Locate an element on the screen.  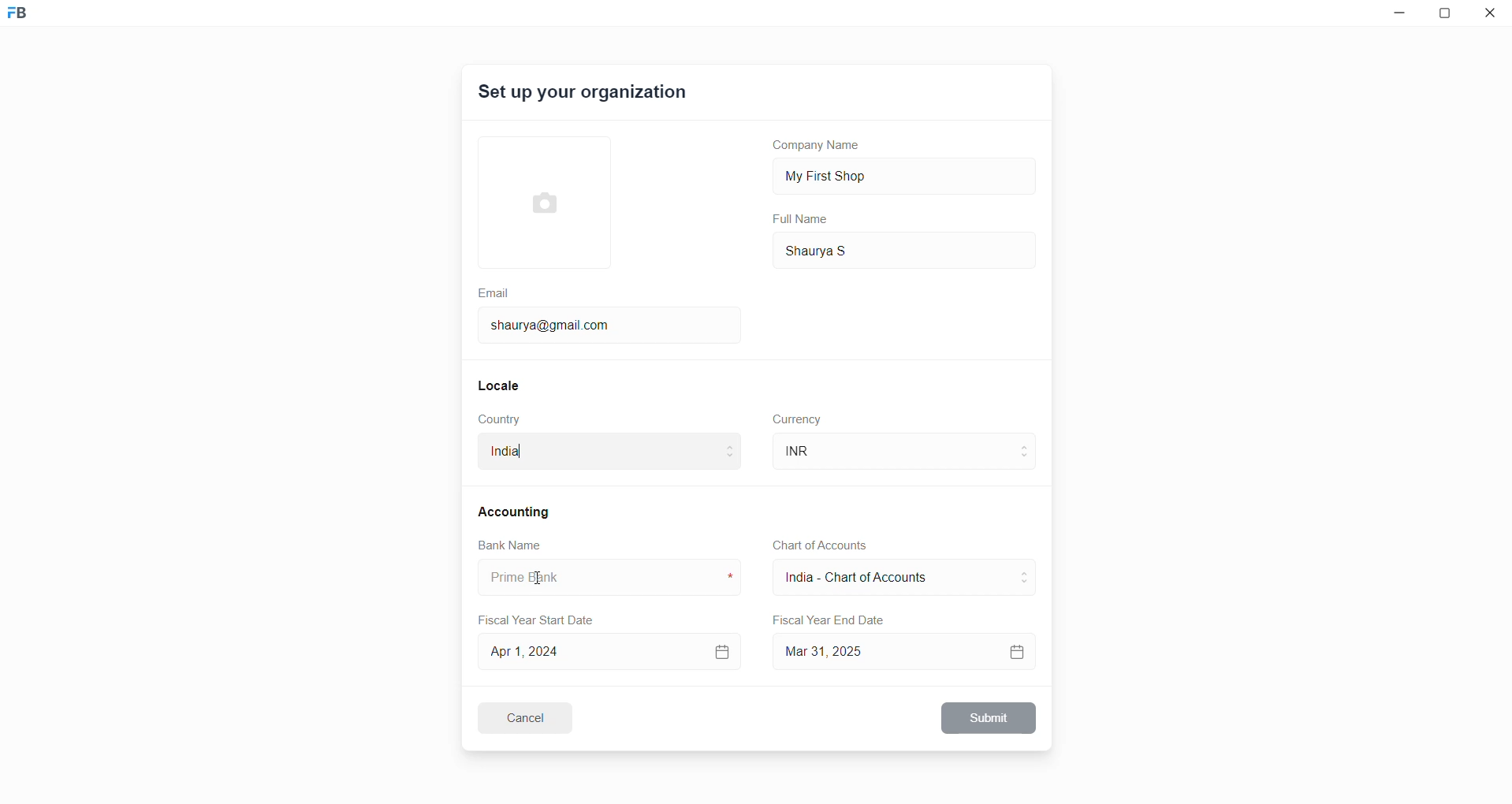
Locale is located at coordinates (500, 385).